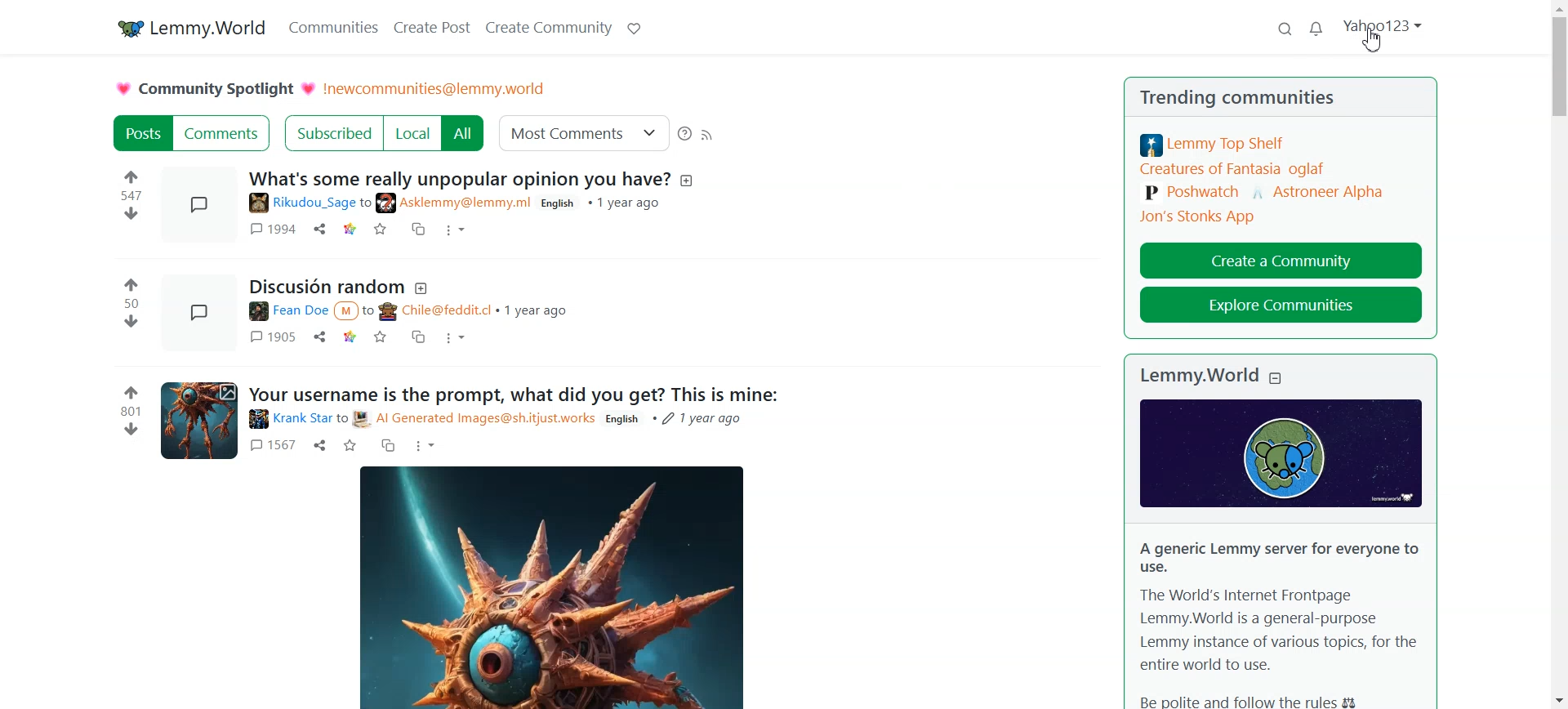 The image size is (1568, 709). I want to click on Lemmy.World, so click(1198, 376).